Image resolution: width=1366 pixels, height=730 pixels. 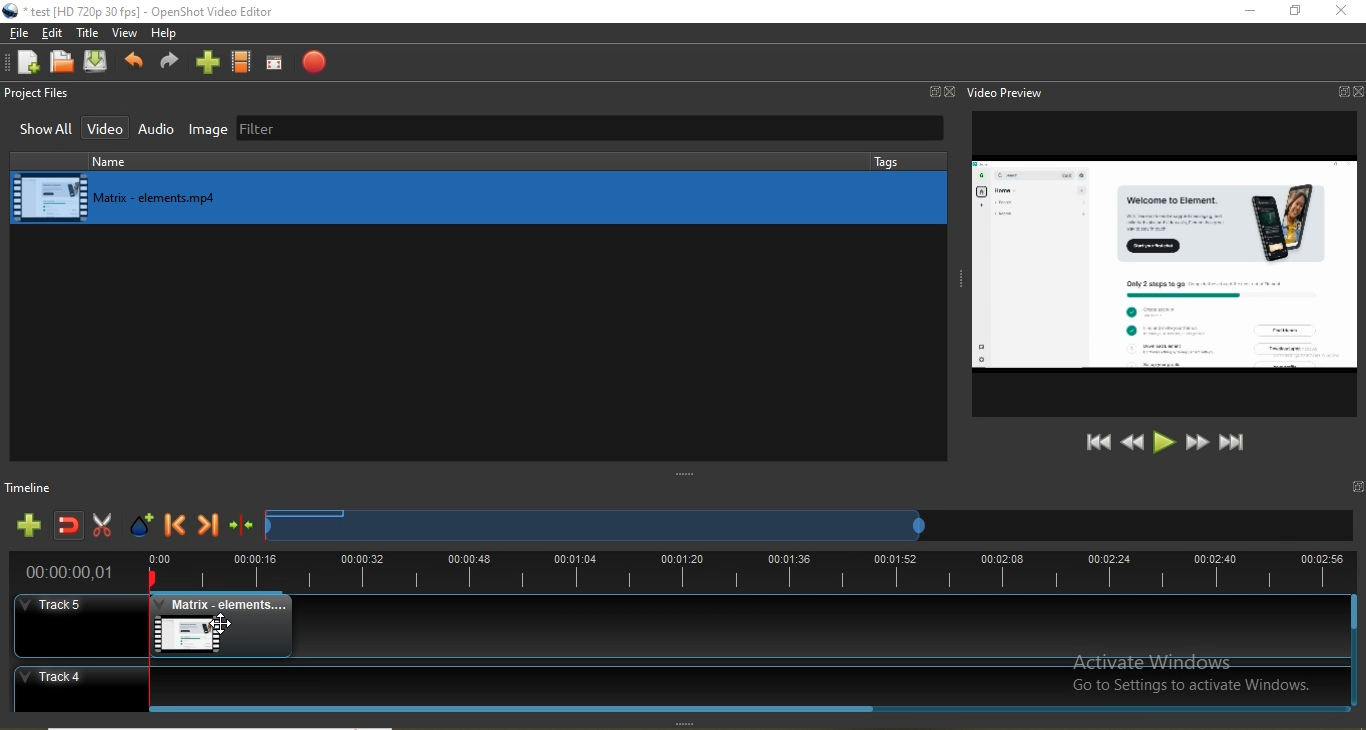 What do you see at coordinates (1007, 92) in the screenshot?
I see `Video preview` at bounding box center [1007, 92].